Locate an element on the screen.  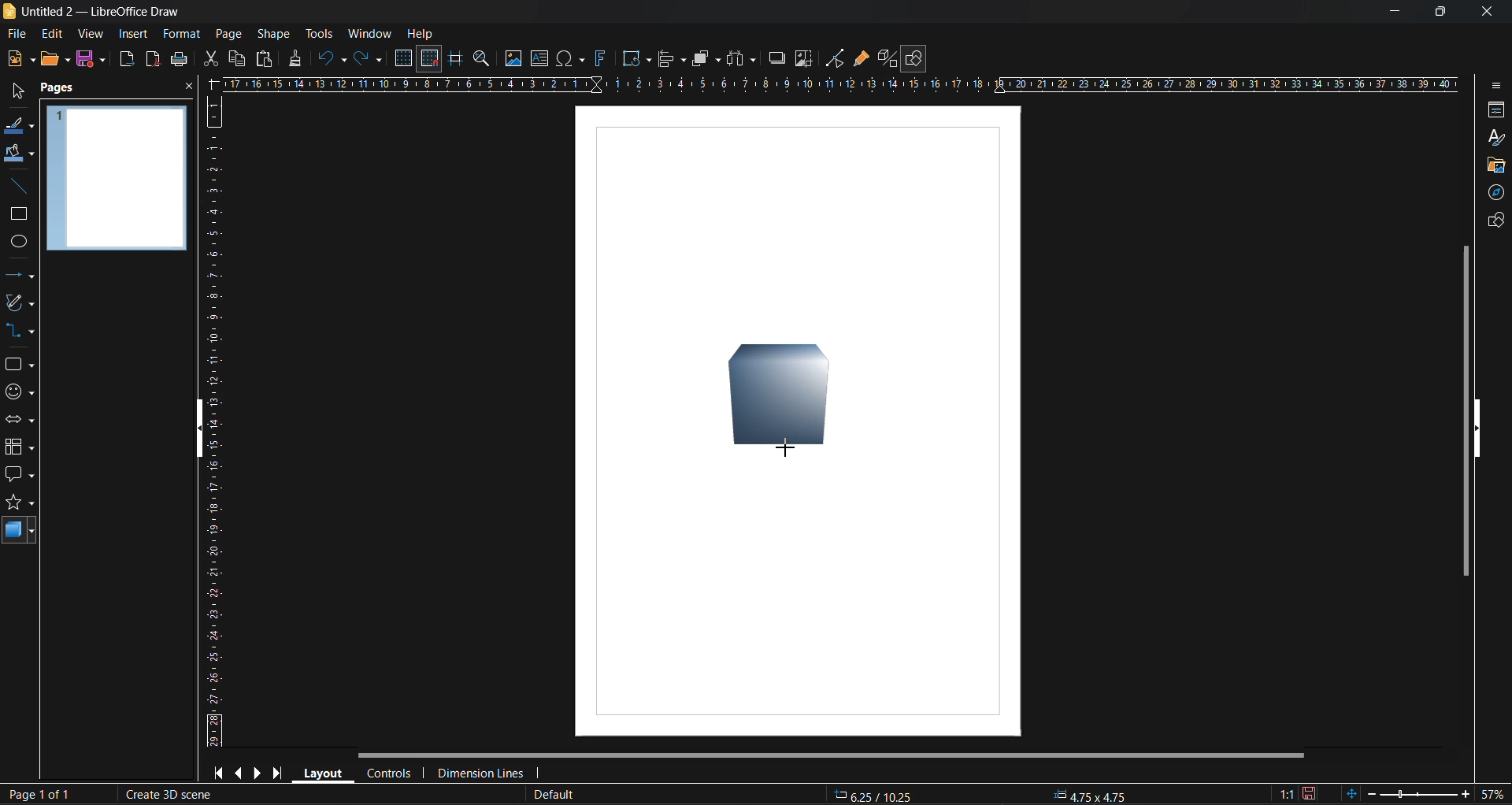
minimize is located at coordinates (1388, 12).